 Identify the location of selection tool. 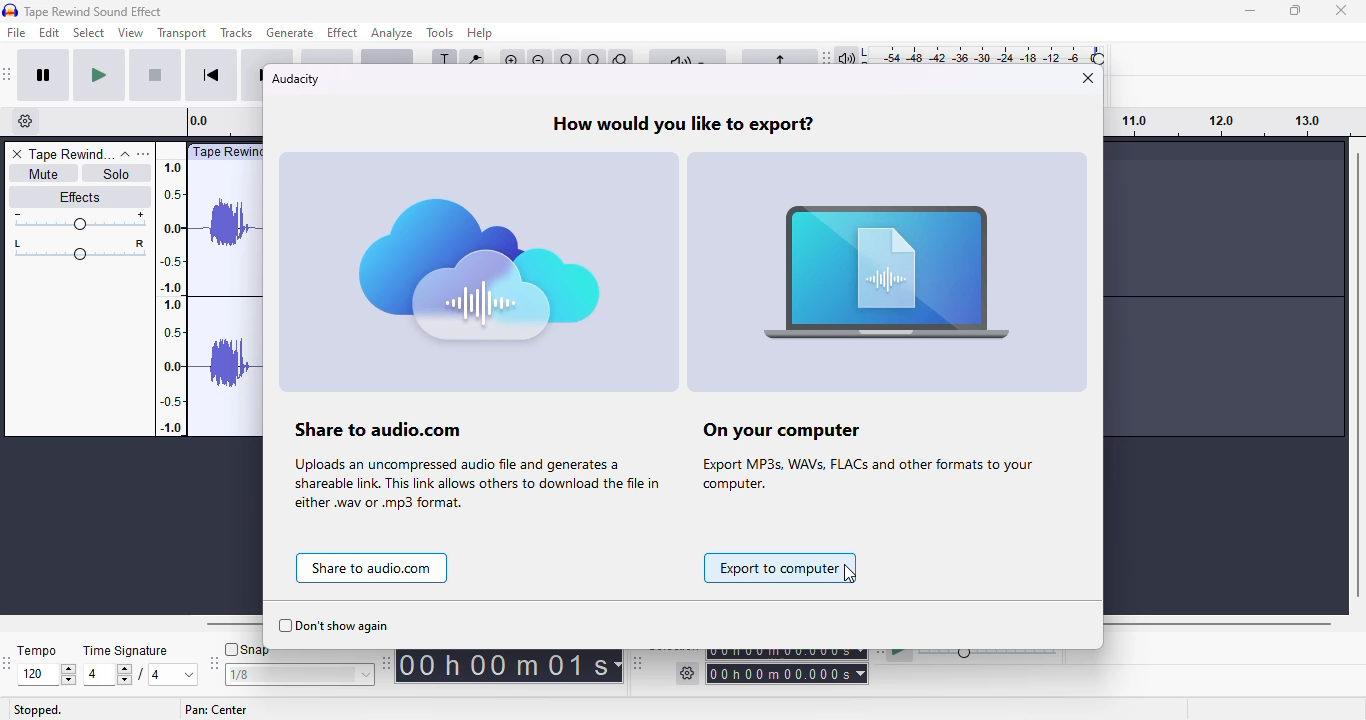
(444, 61).